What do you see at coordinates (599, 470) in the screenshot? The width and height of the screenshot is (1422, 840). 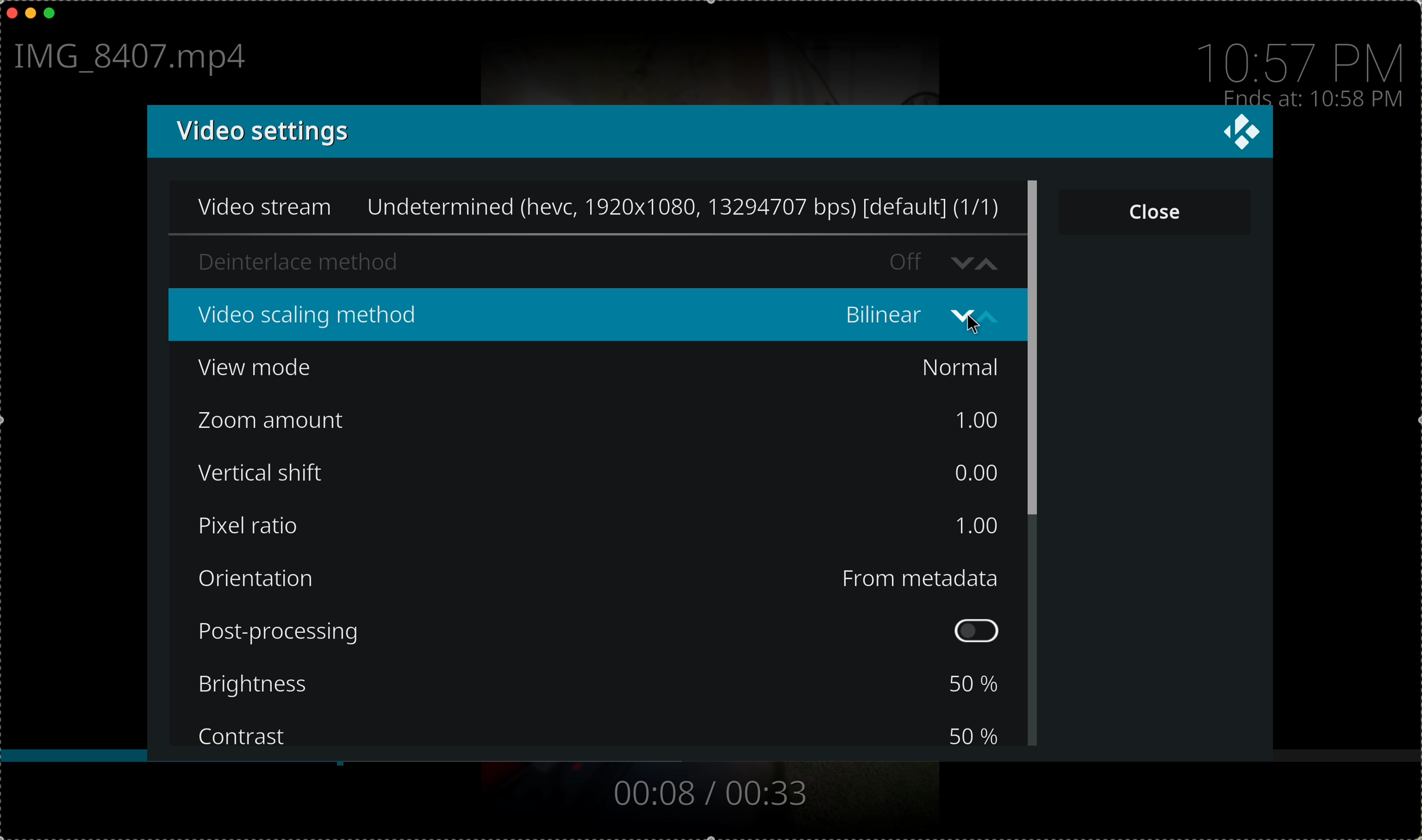 I see `vertical shift 0.00` at bounding box center [599, 470].